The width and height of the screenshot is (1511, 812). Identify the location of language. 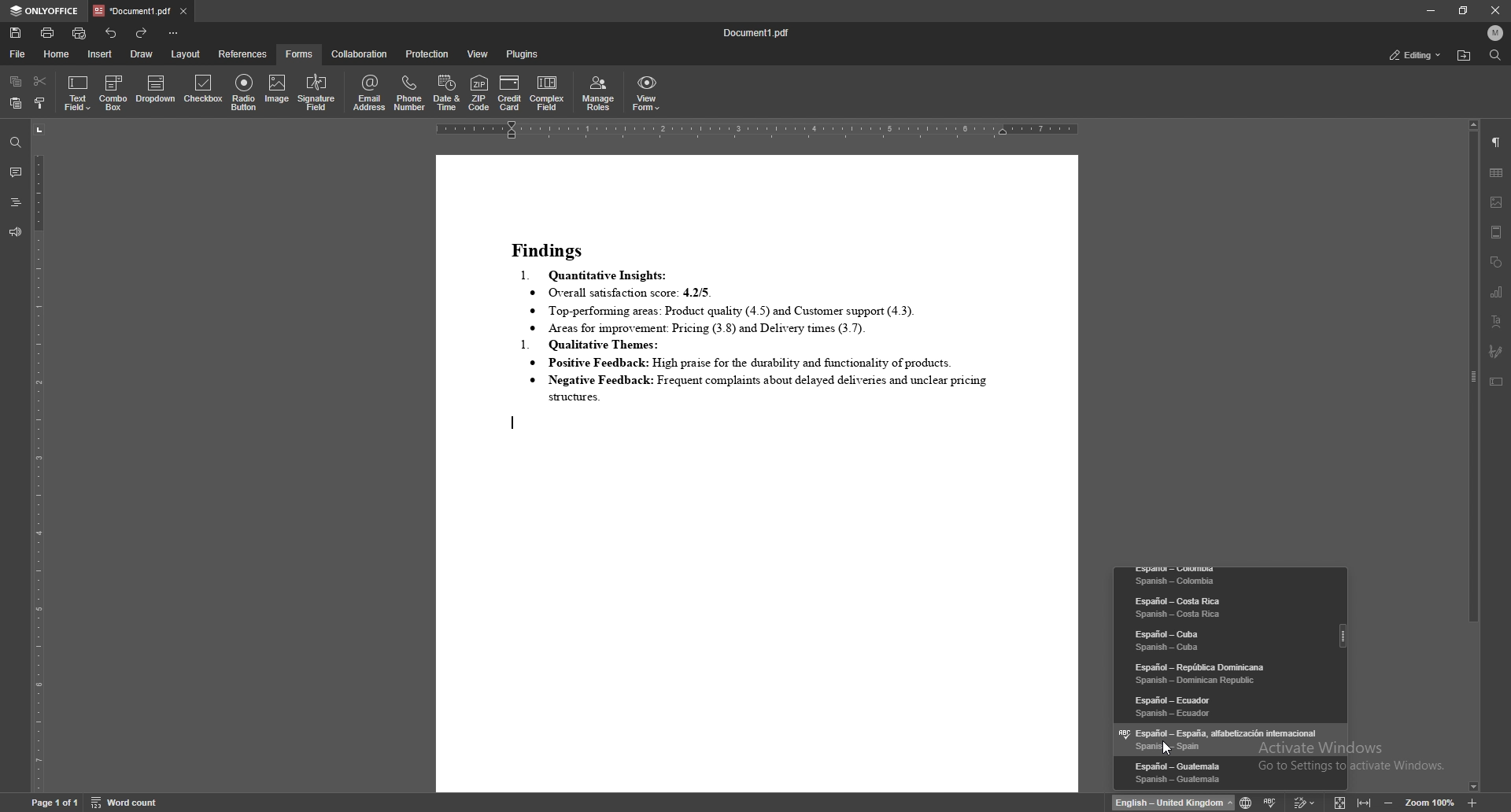
(1217, 607).